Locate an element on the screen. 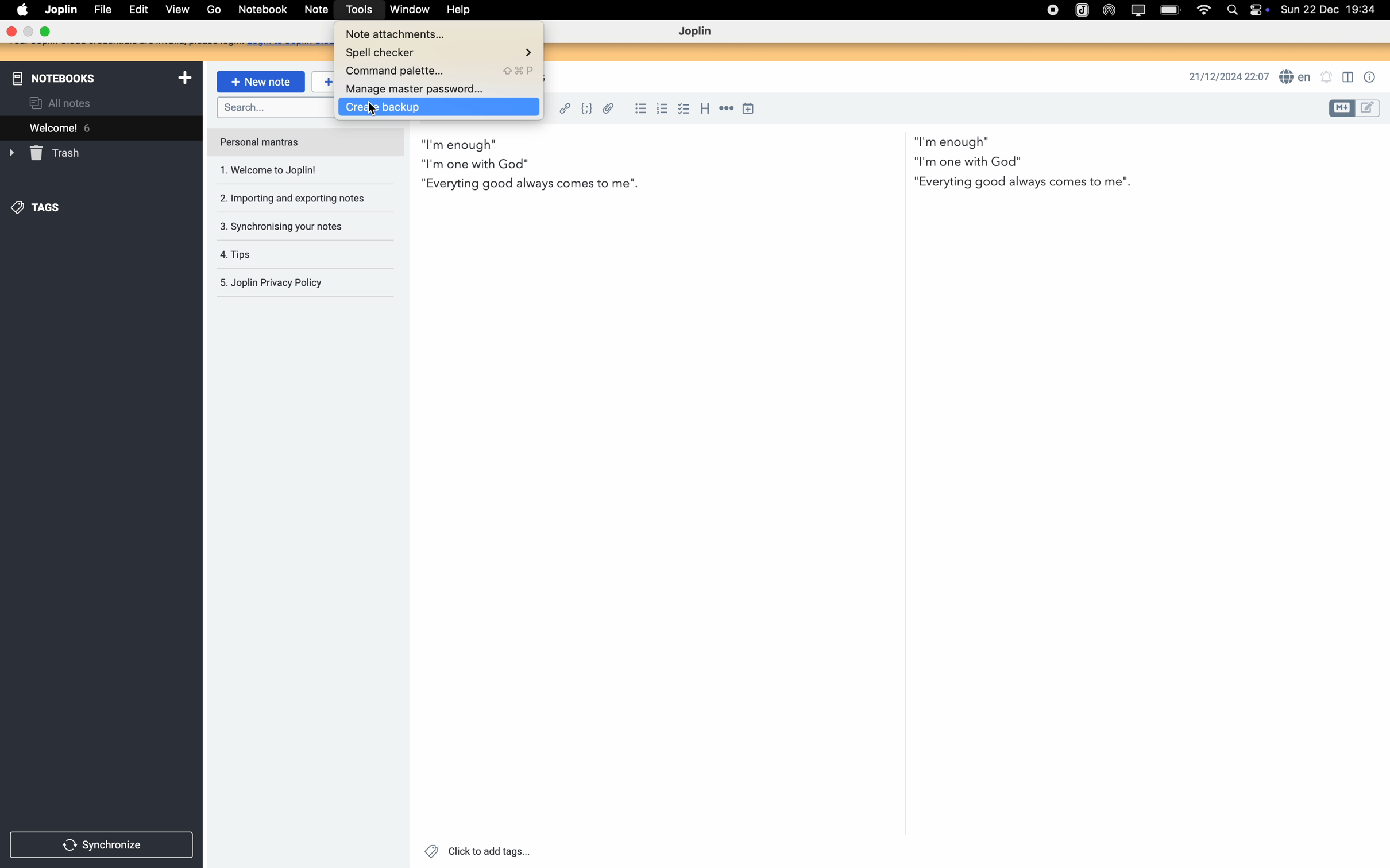 The width and height of the screenshot is (1390, 868). tags is located at coordinates (37, 207).